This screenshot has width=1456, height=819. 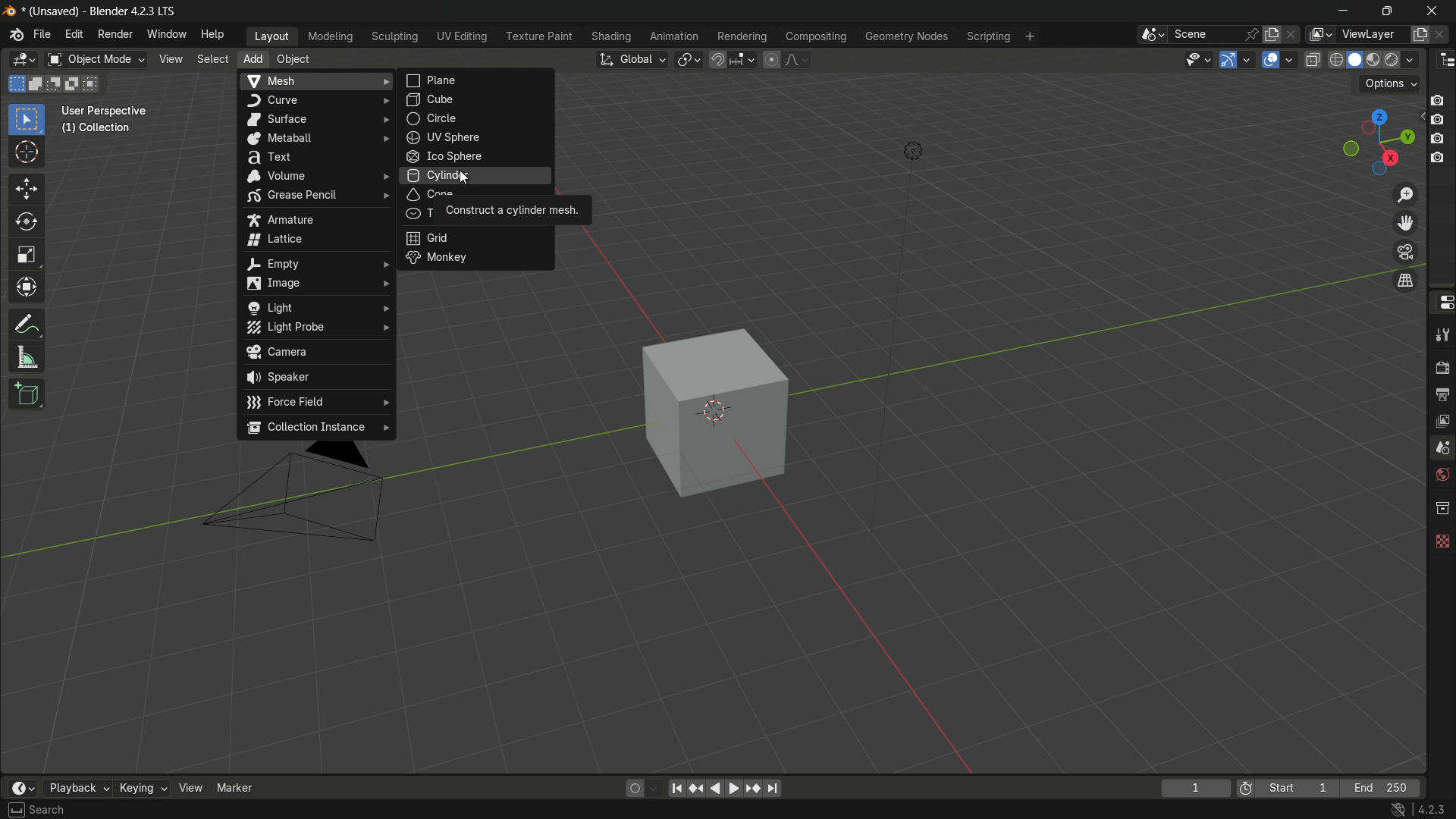 I want to click on move view layer, so click(x=1406, y=224).